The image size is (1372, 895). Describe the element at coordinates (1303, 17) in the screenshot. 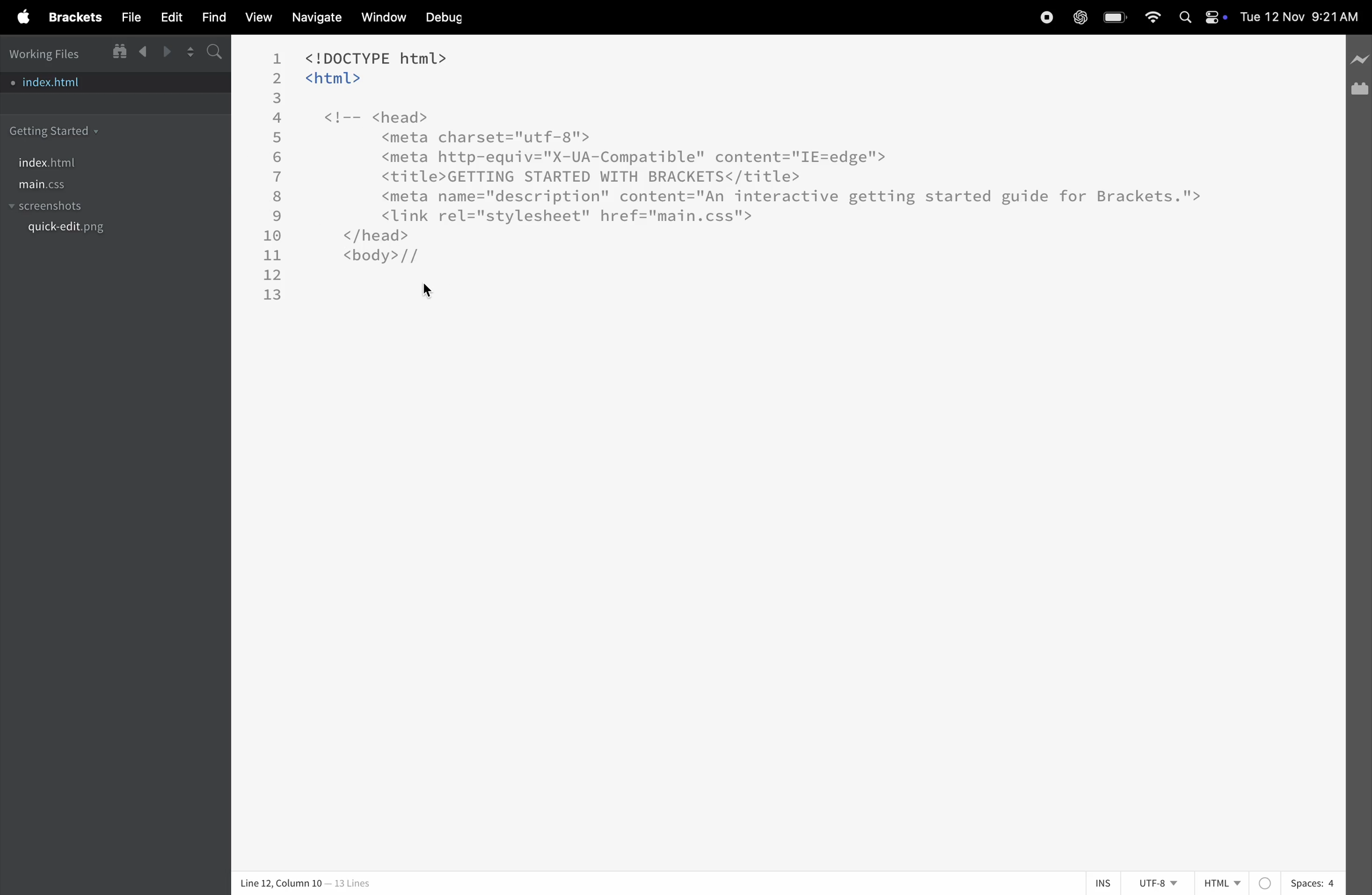

I see `date and time` at that location.